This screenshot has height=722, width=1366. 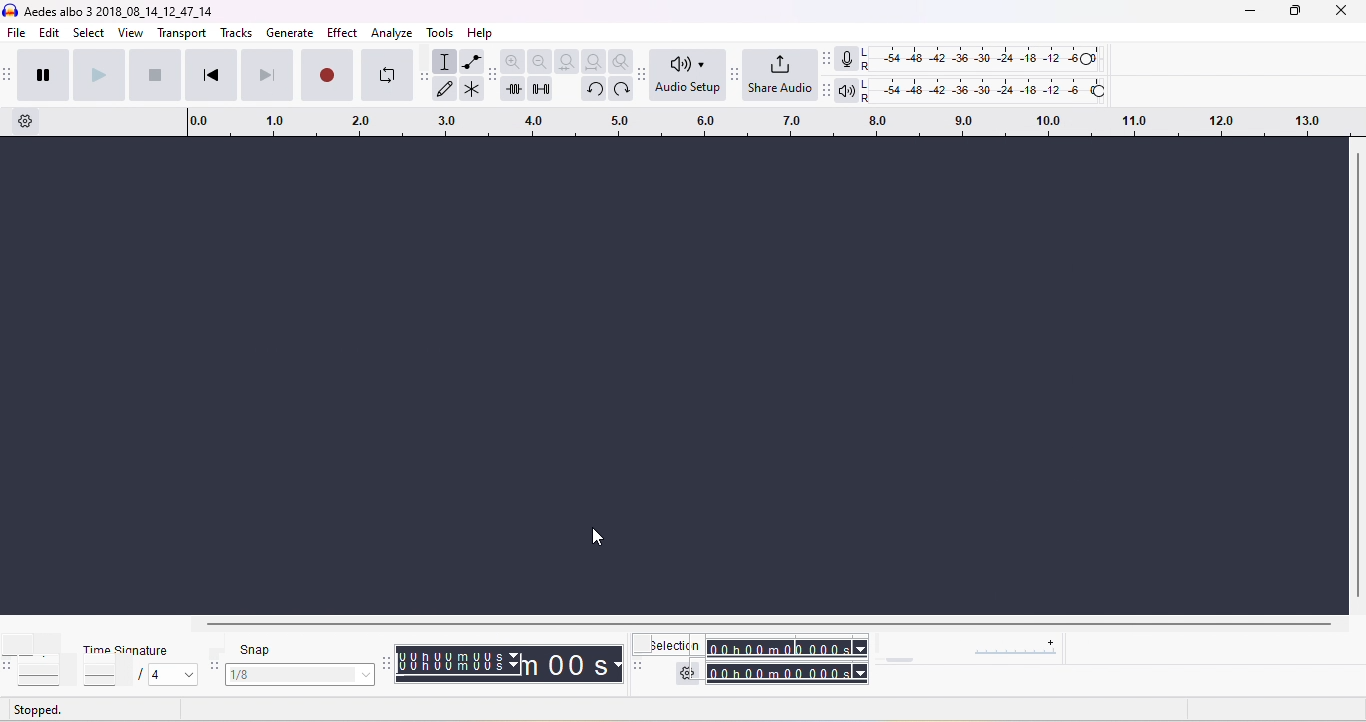 I want to click on select, so click(x=90, y=33).